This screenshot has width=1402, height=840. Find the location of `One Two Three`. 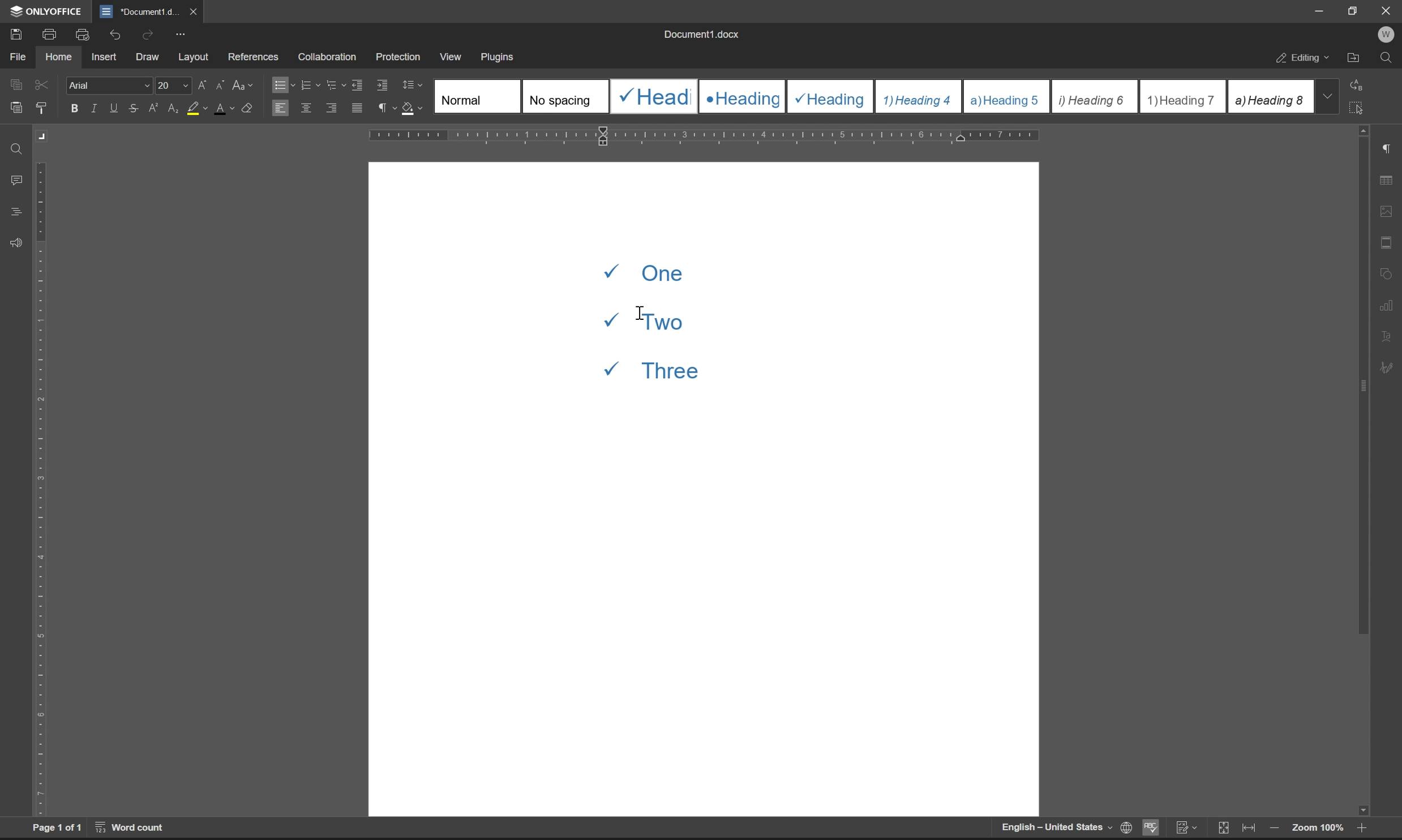

One Two Three is located at coordinates (651, 324).